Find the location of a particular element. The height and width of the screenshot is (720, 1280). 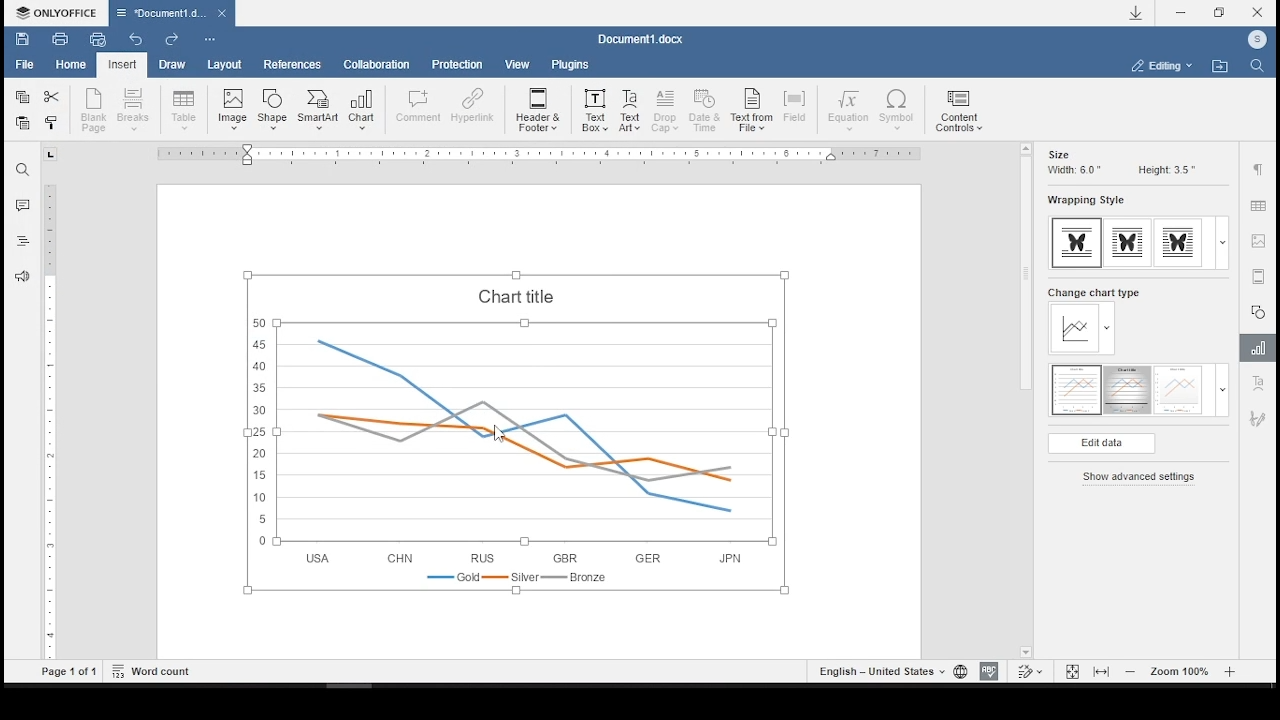

references is located at coordinates (291, 64).